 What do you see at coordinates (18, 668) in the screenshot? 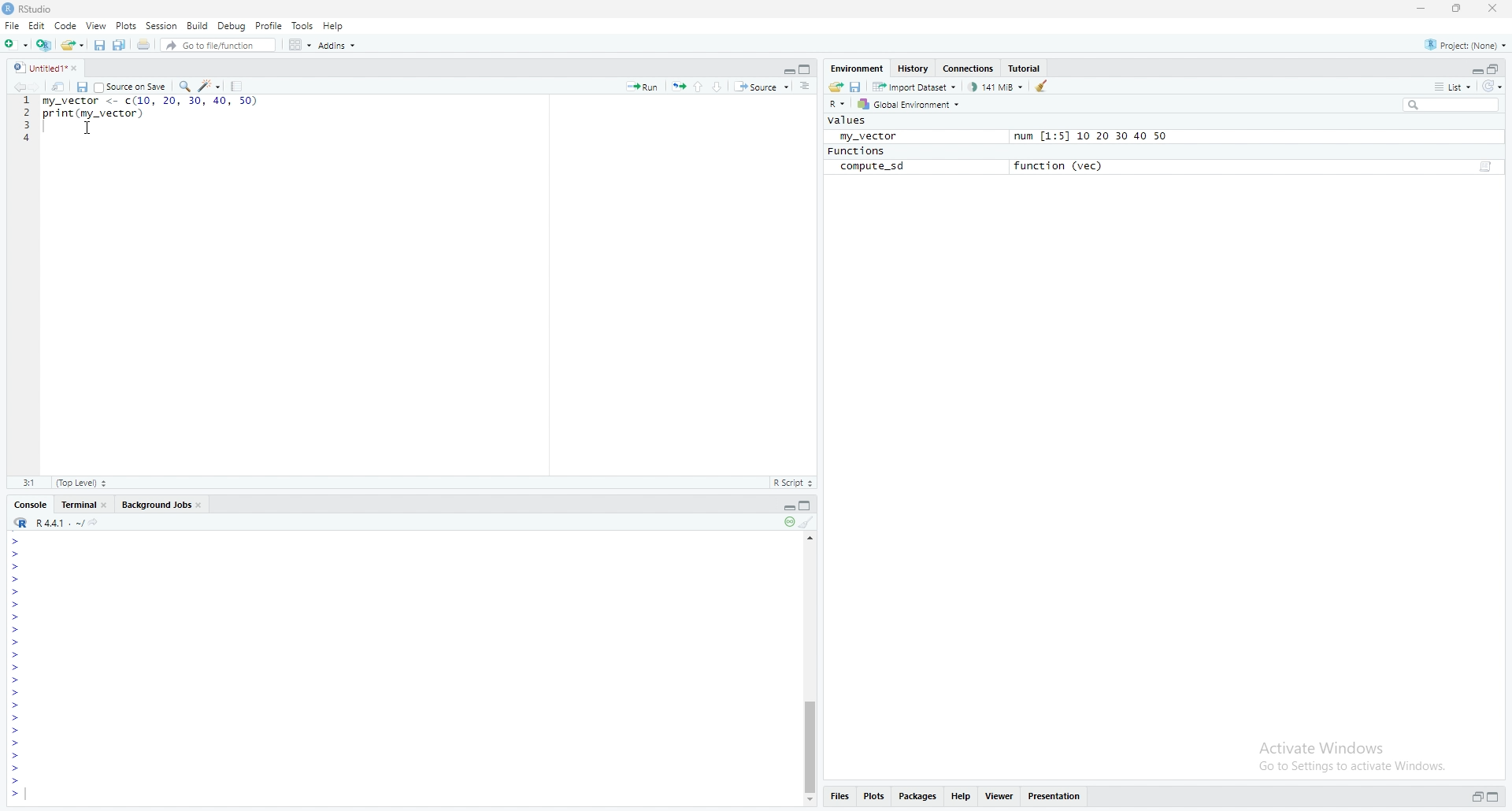
I see `Prompt cursor` at bounding box center [18, 668].